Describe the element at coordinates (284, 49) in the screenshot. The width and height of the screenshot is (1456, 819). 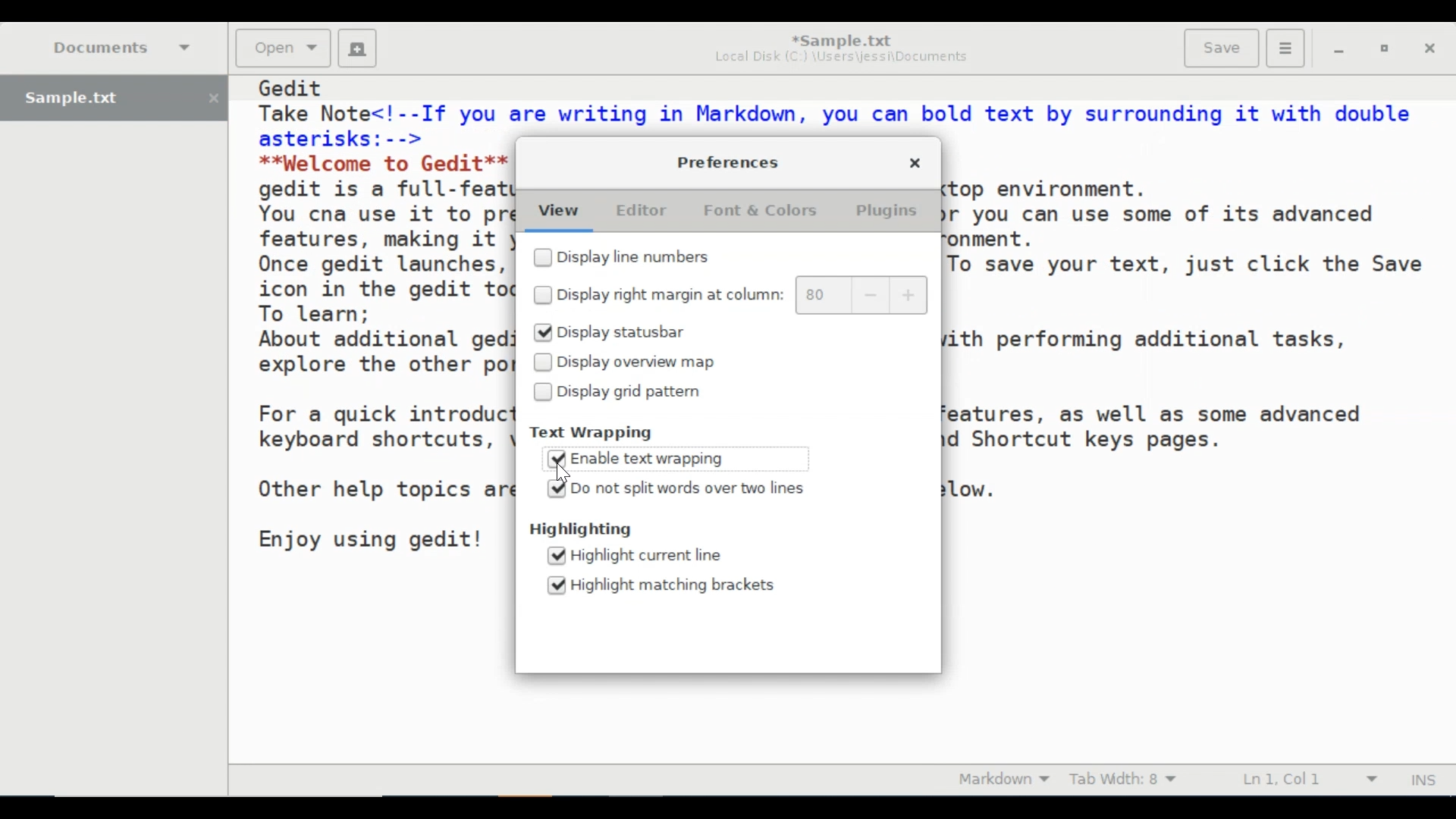
I see `Open` at that location.